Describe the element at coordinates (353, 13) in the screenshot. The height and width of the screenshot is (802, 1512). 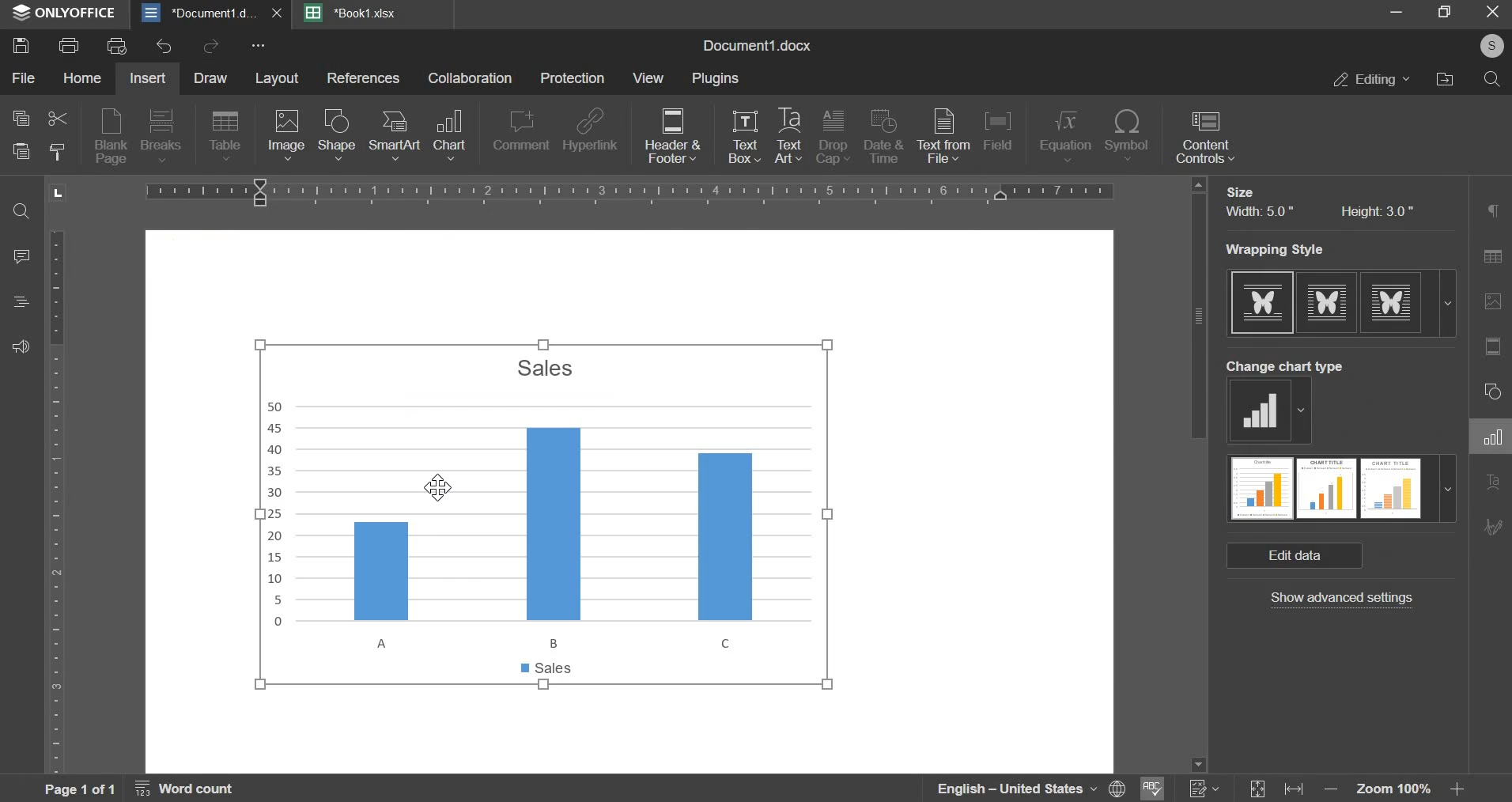
I see `spreadsheet` at that location.